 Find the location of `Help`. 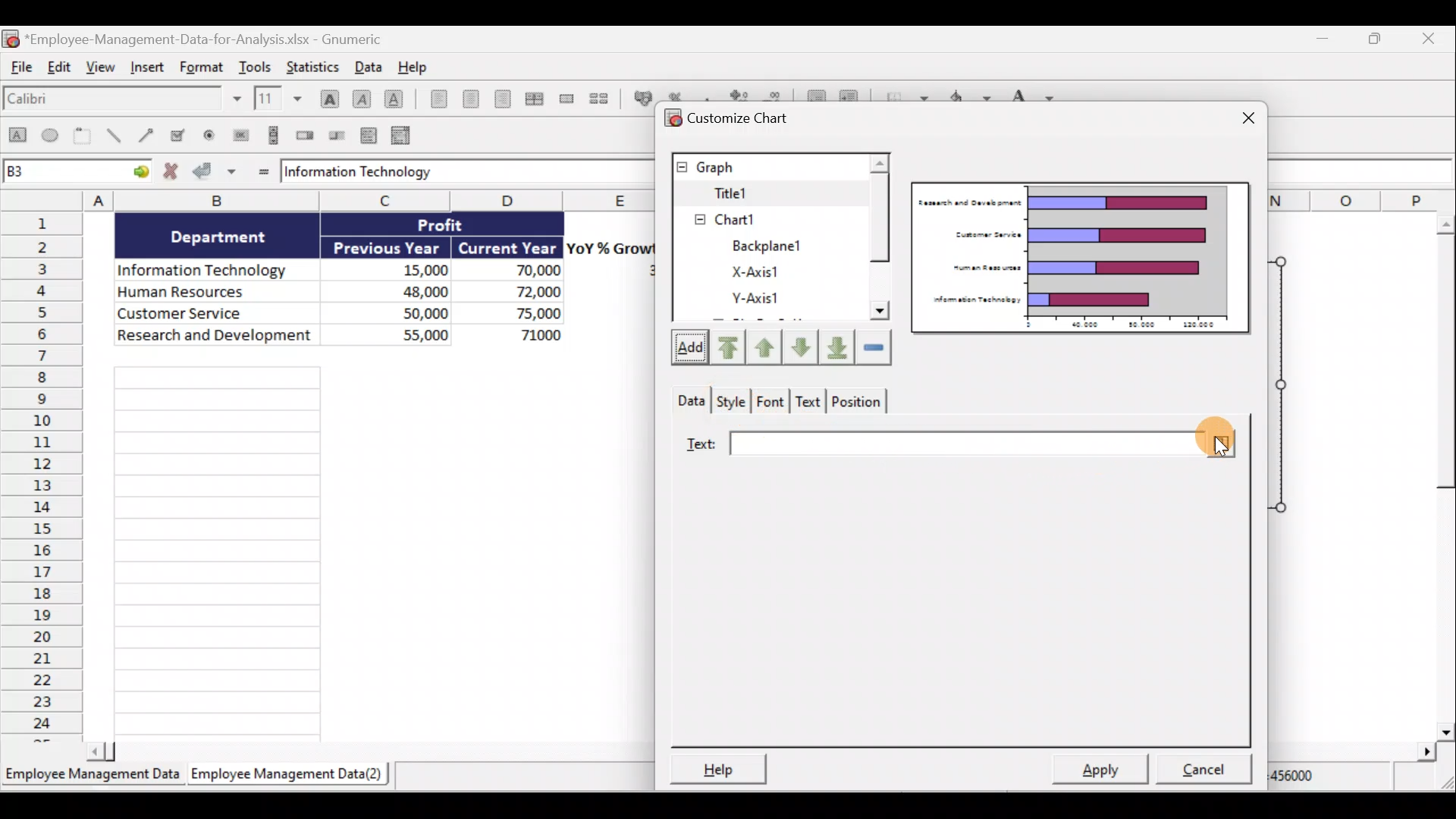

Help is located at coordinates (725, 767).